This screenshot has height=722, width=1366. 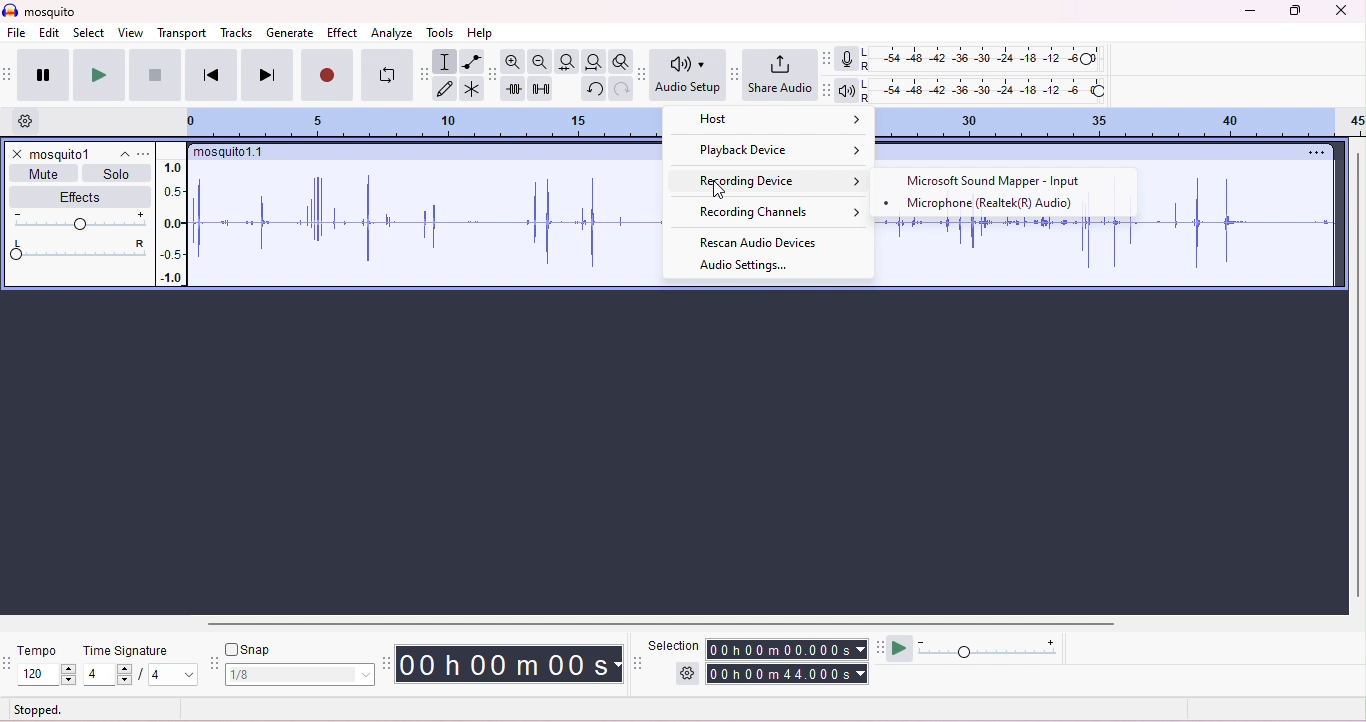 What do you see at coordinates (46, 173) in the screenshot?
I see `mute` at bounding box center [46, 173].